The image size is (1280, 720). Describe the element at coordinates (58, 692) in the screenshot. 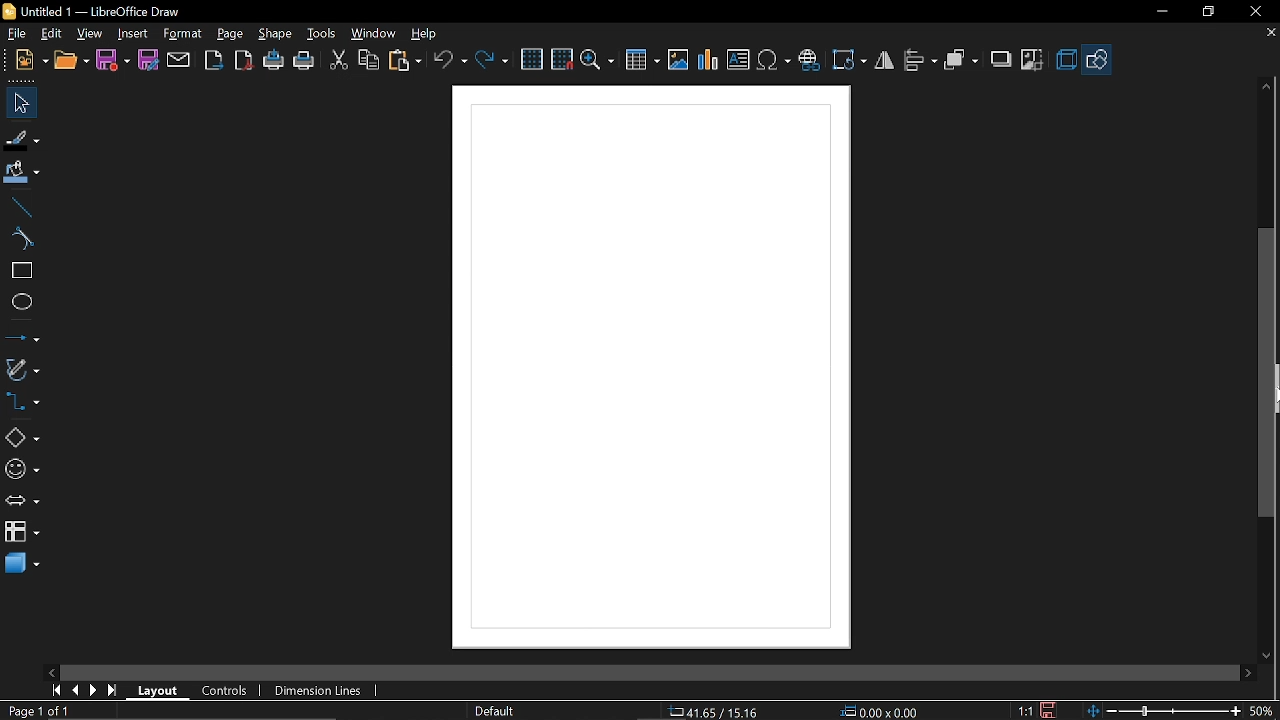

I see `go to first page` at that location.